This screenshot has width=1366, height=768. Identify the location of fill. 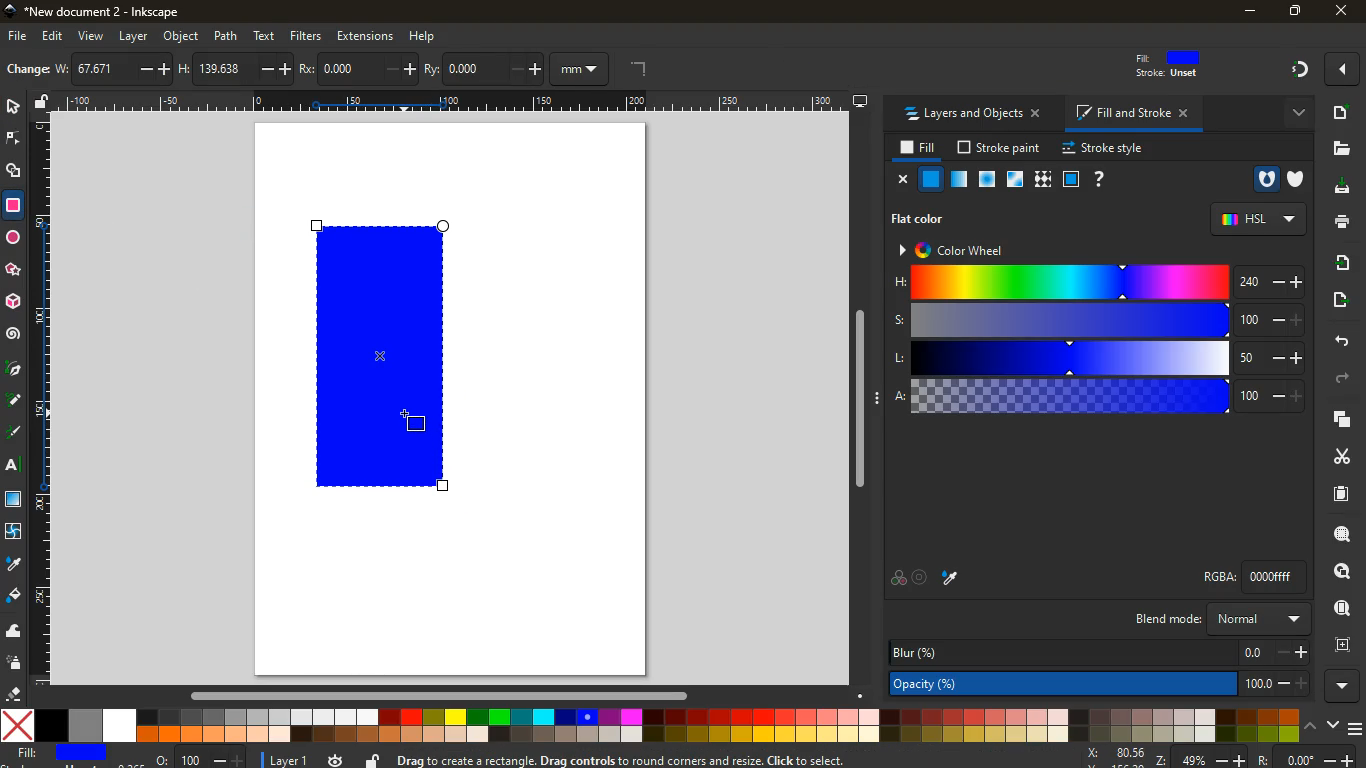
(918, 151).